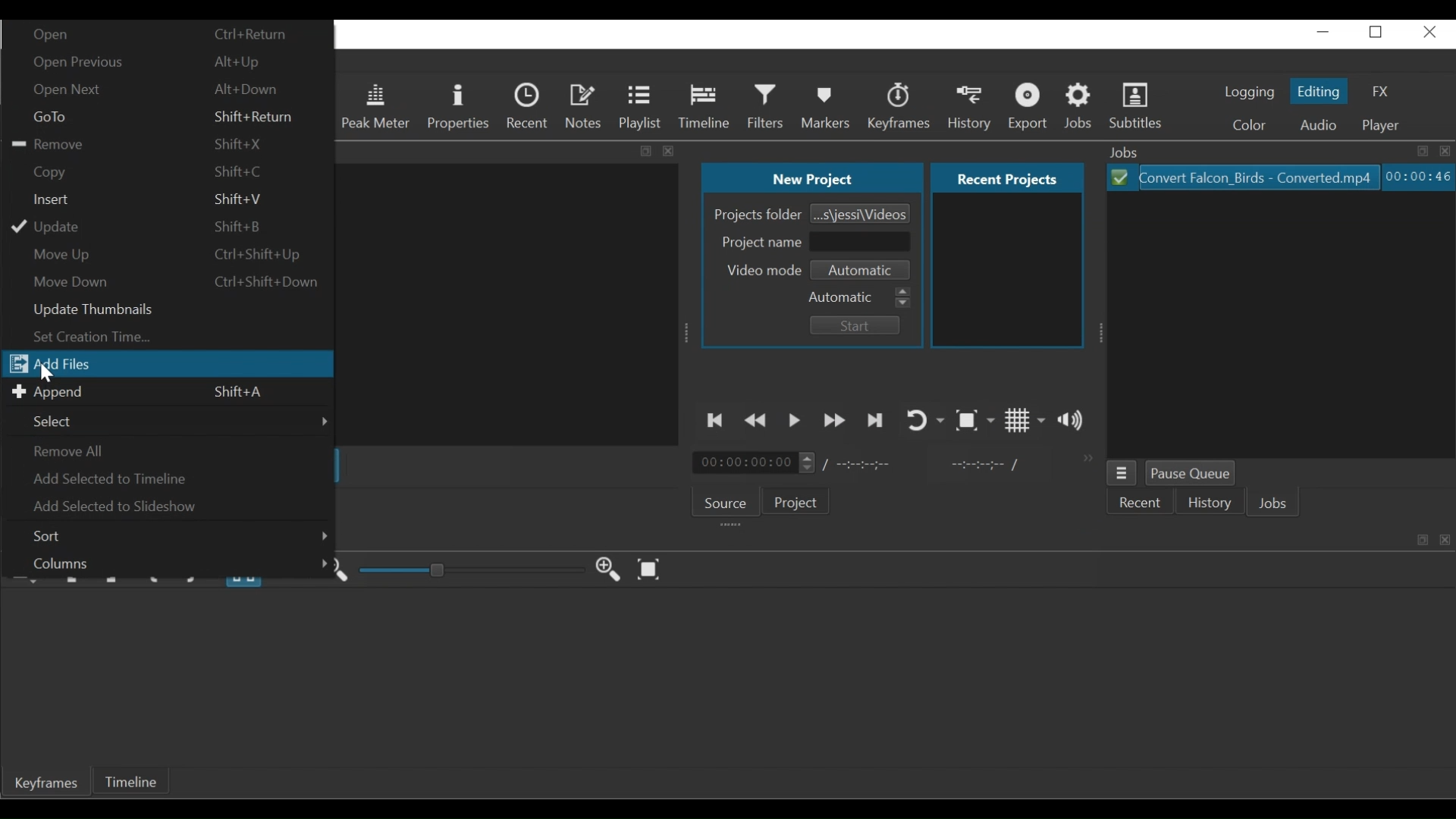  What do you see at coordinates (730, 499) in the screenshot?
I see `Source` at bounding box center [730, 499].